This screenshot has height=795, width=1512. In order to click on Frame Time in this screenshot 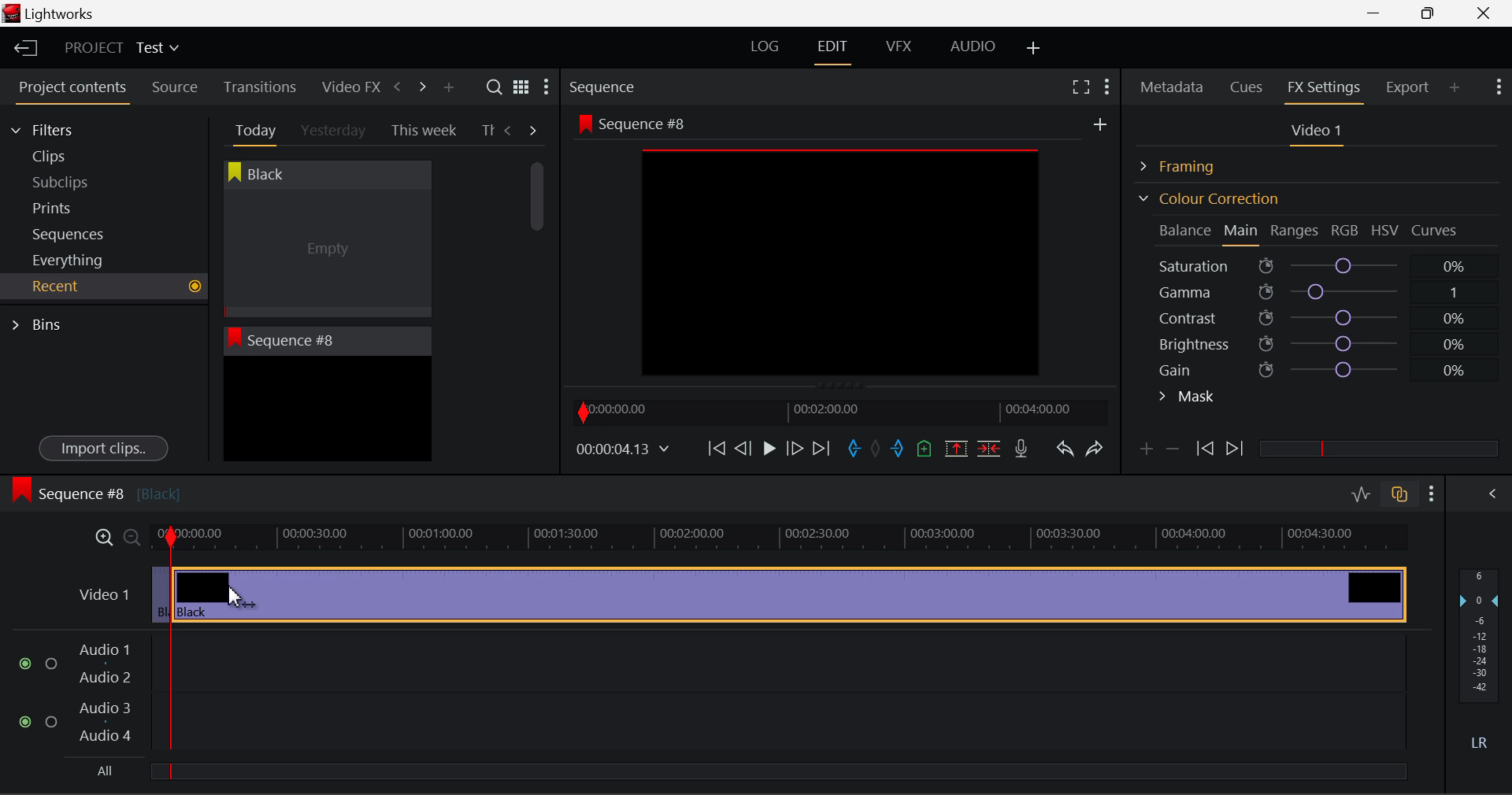, I will do `click(624, 450)`.